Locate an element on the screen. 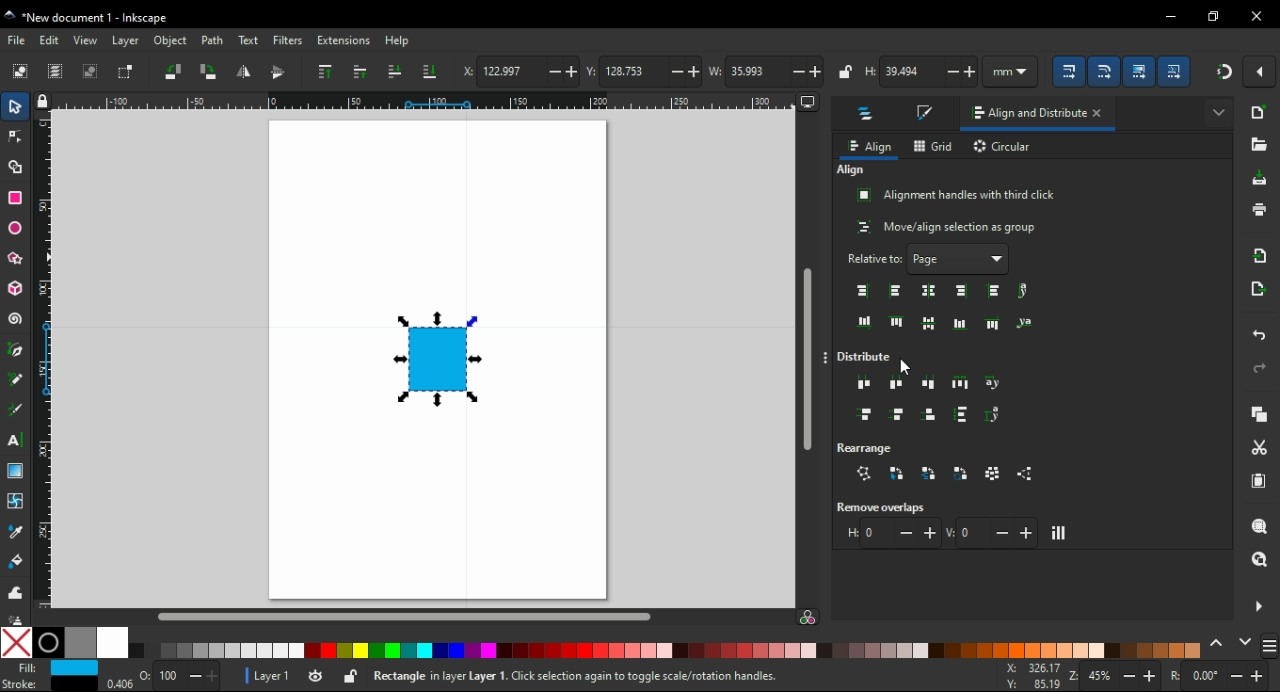 This screenshot has width=1280, height=692. zoom drawing is located at coordinates (1260, 559).